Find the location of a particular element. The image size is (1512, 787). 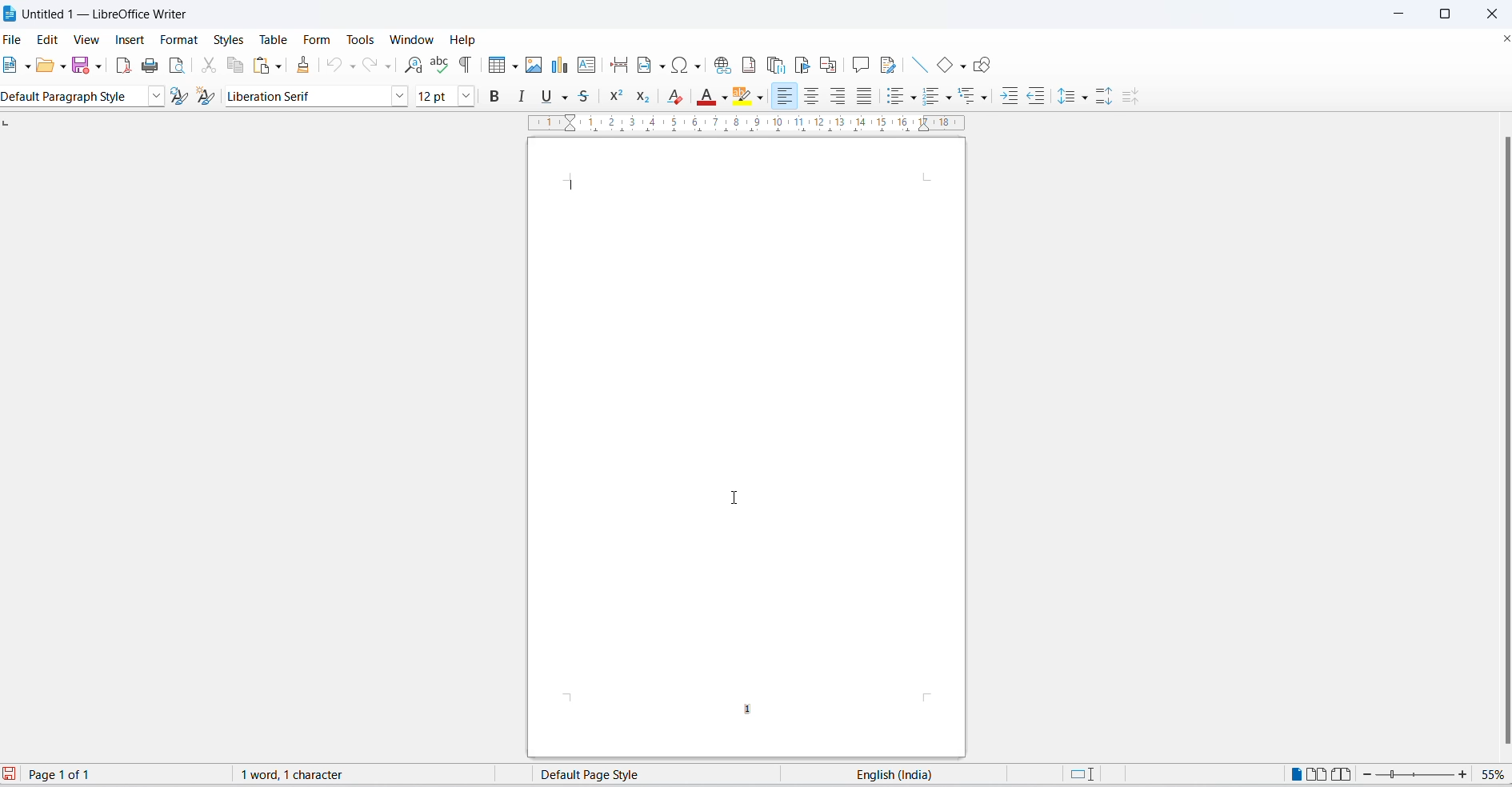

page break is located at coordinates (618, 66).